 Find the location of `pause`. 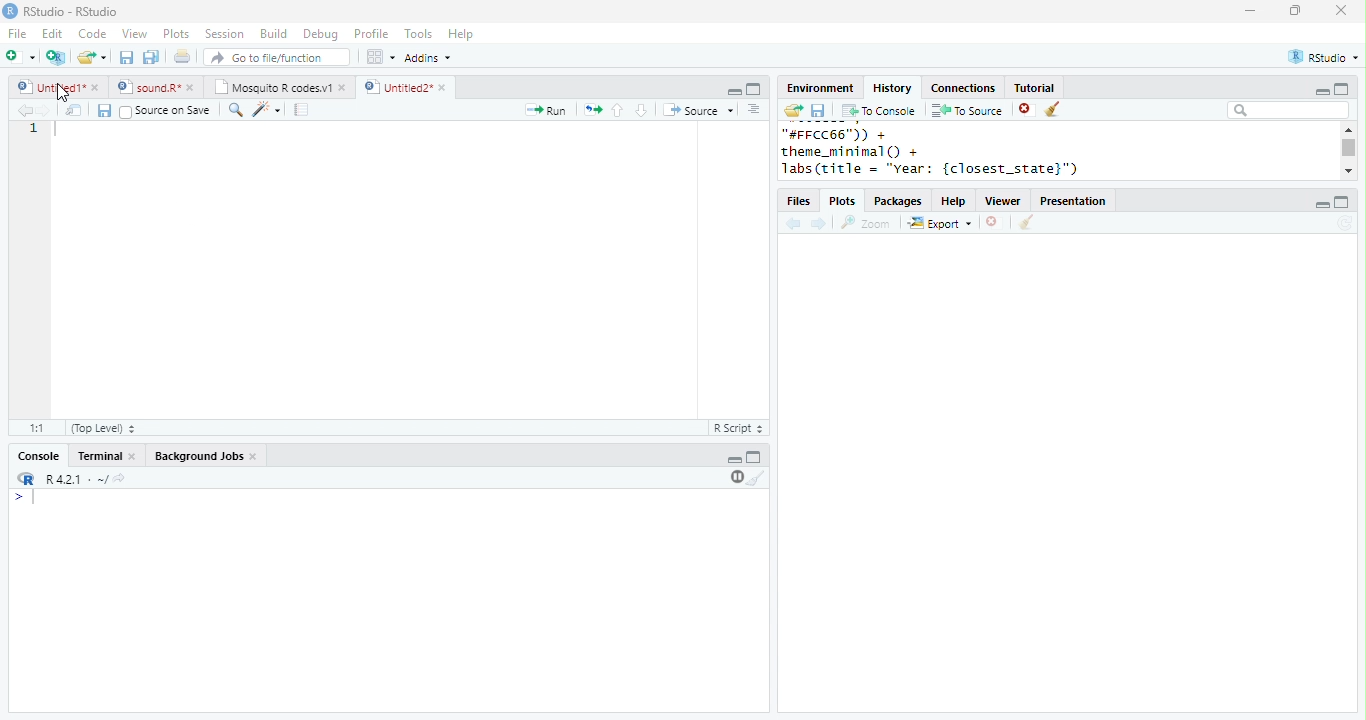

pause is located at coordinates (735, 478).